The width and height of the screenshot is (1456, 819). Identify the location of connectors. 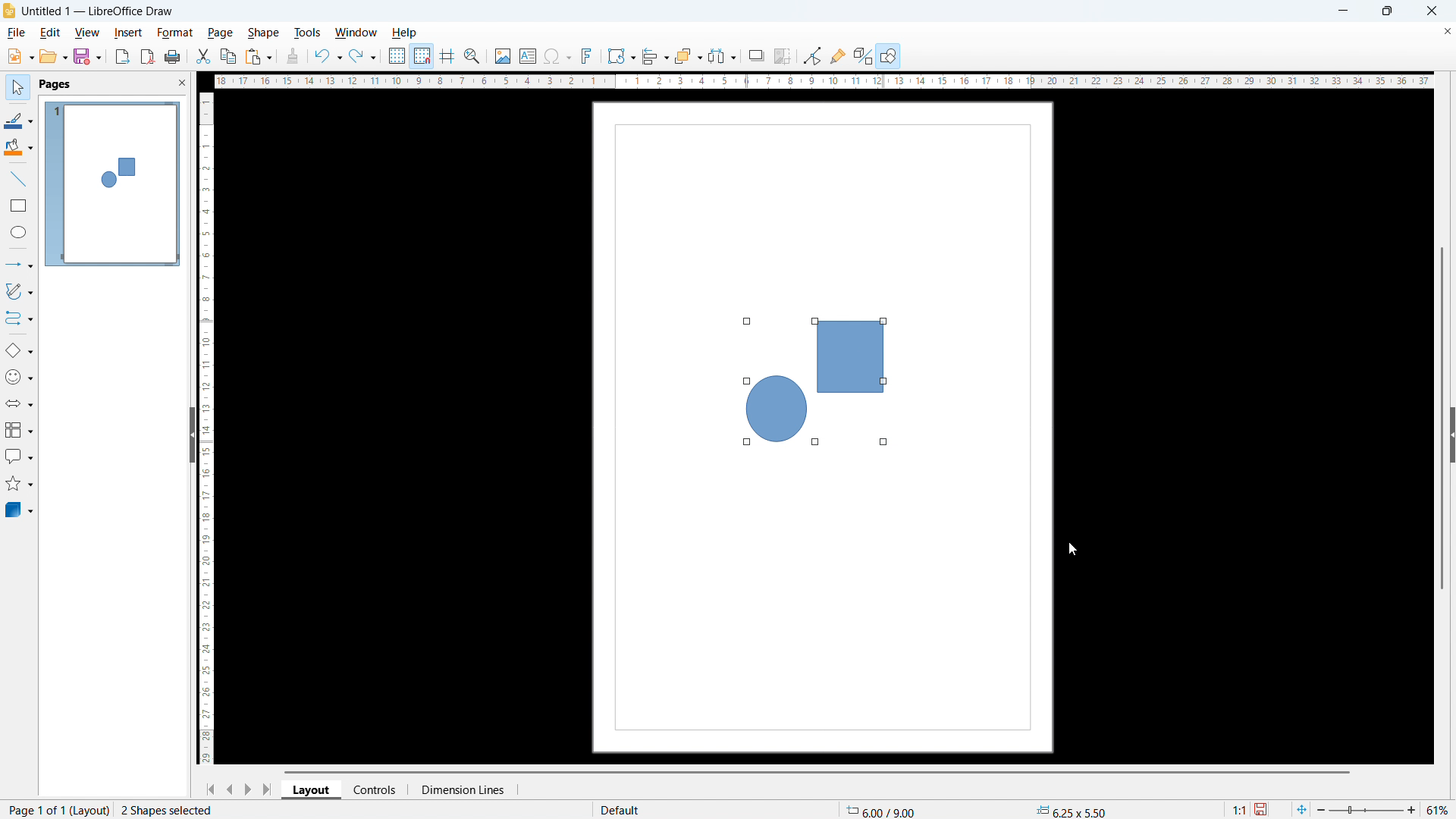
(20, 319).